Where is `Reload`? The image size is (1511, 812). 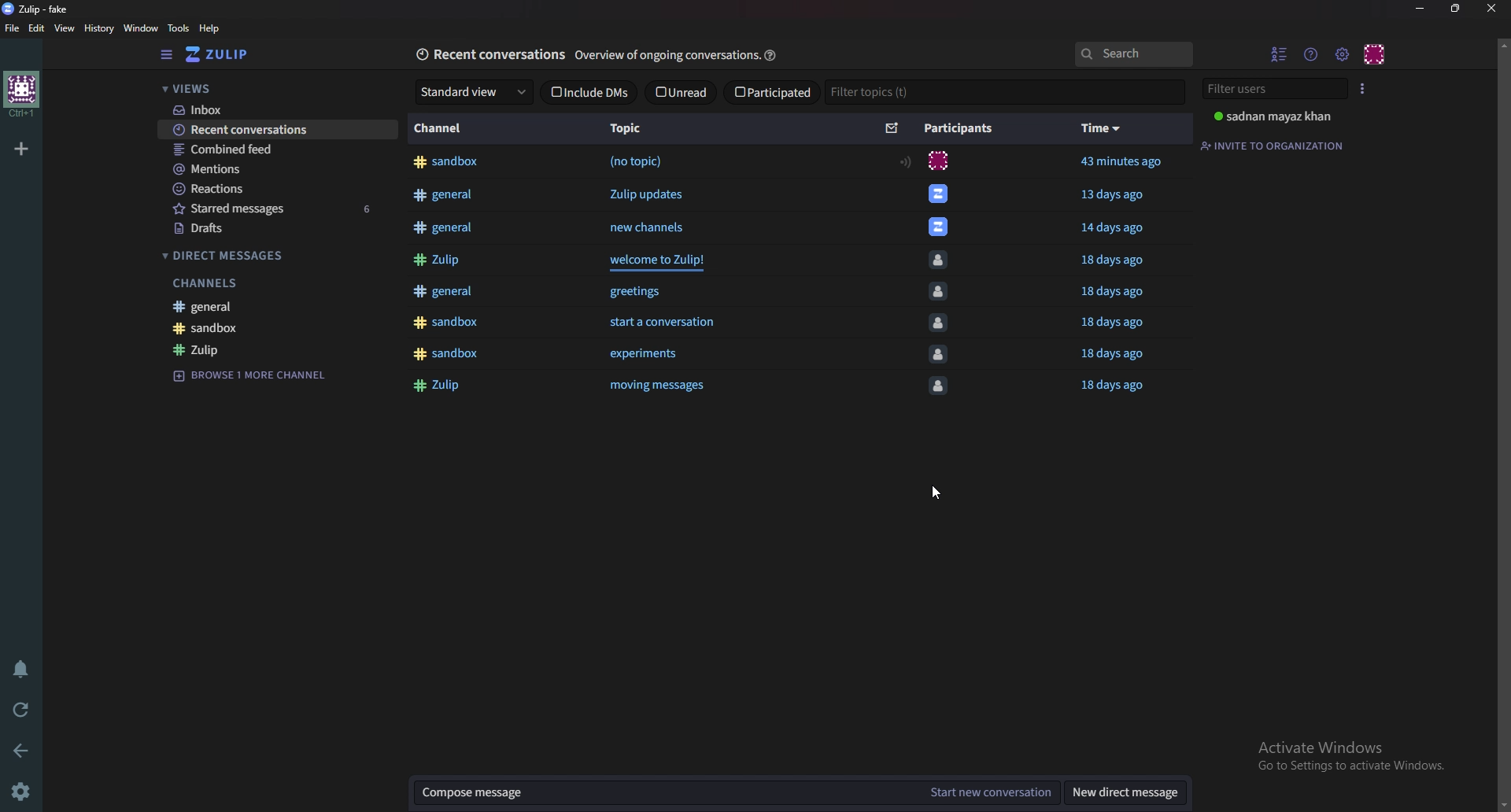
Reload is located at coordinates (17, 708).